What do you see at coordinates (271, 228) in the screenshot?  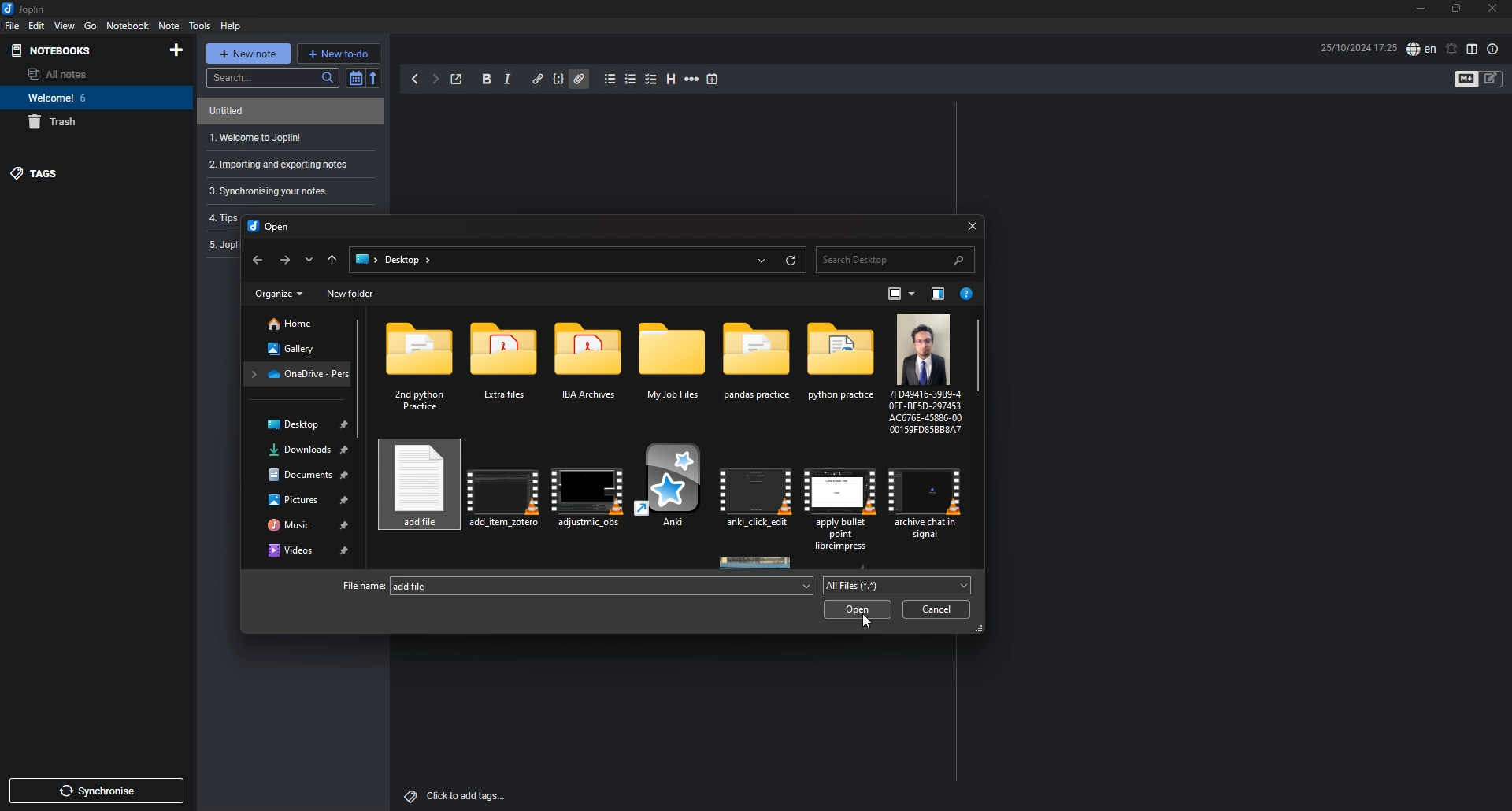 I see `open` at bounding box center [271, 228].